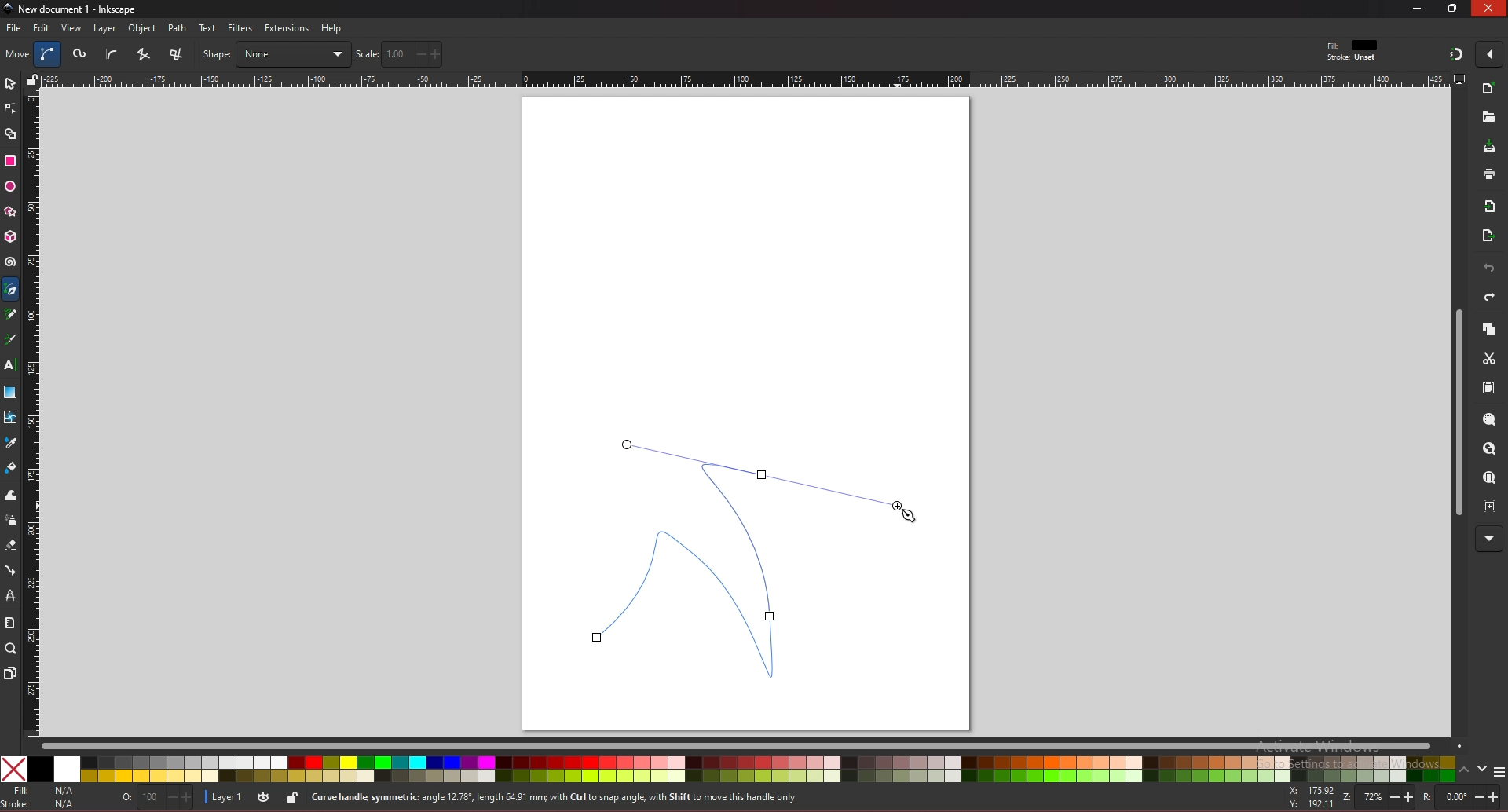 The image size is (1508, 812). I want to click on path, so click(178, 28).